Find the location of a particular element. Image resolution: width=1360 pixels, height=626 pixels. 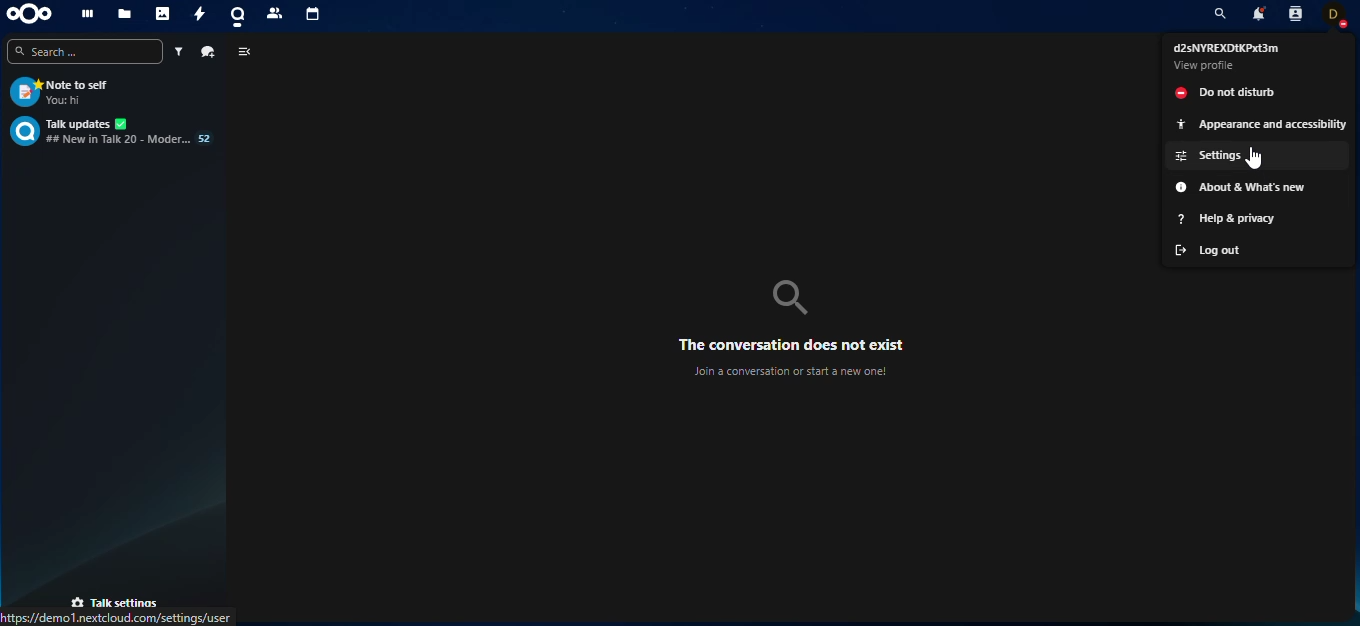

settings is located at coordinates (1258, 156).